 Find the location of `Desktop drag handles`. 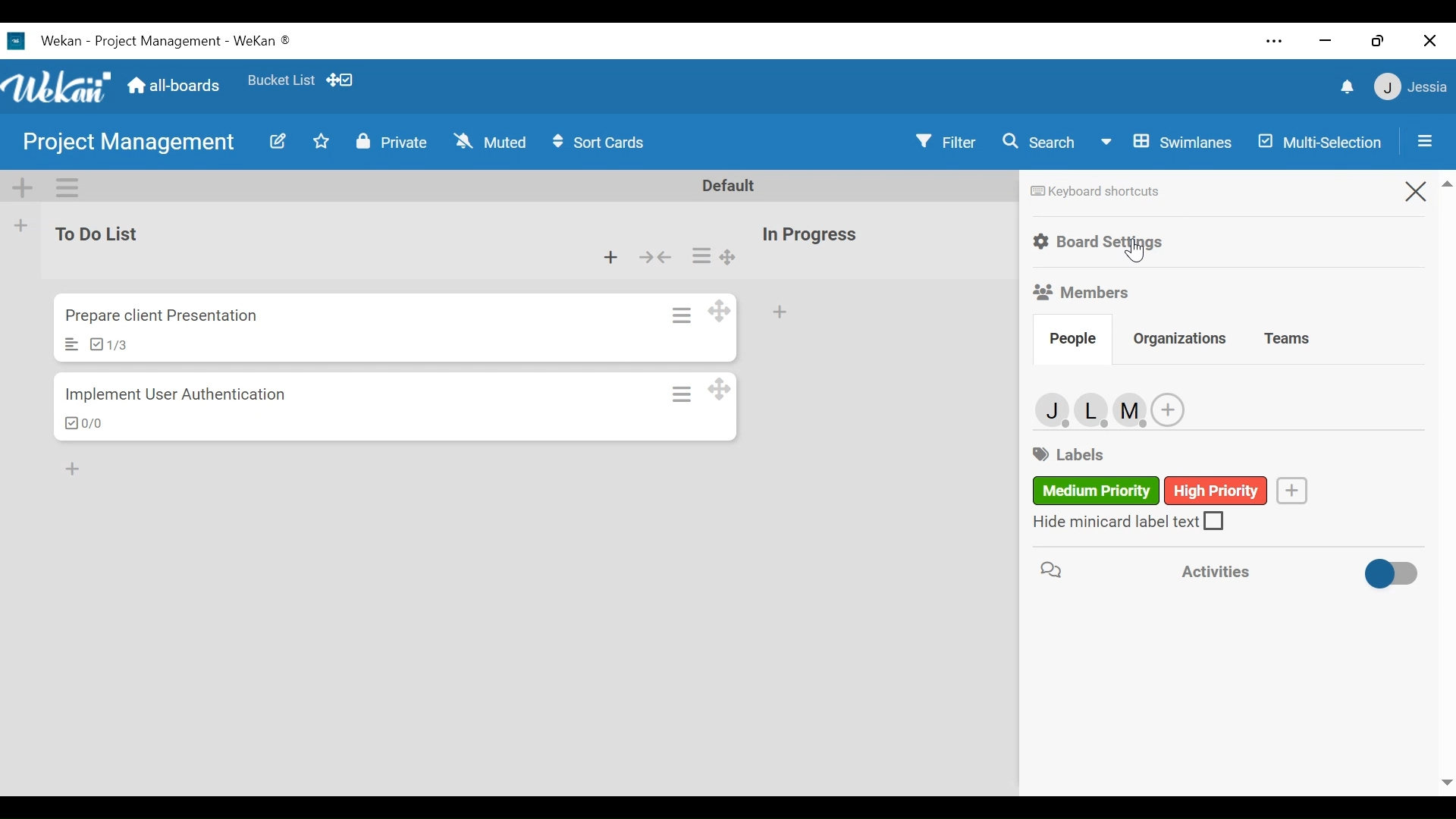

Desktop drag handles is located at coordinates (718, 311).